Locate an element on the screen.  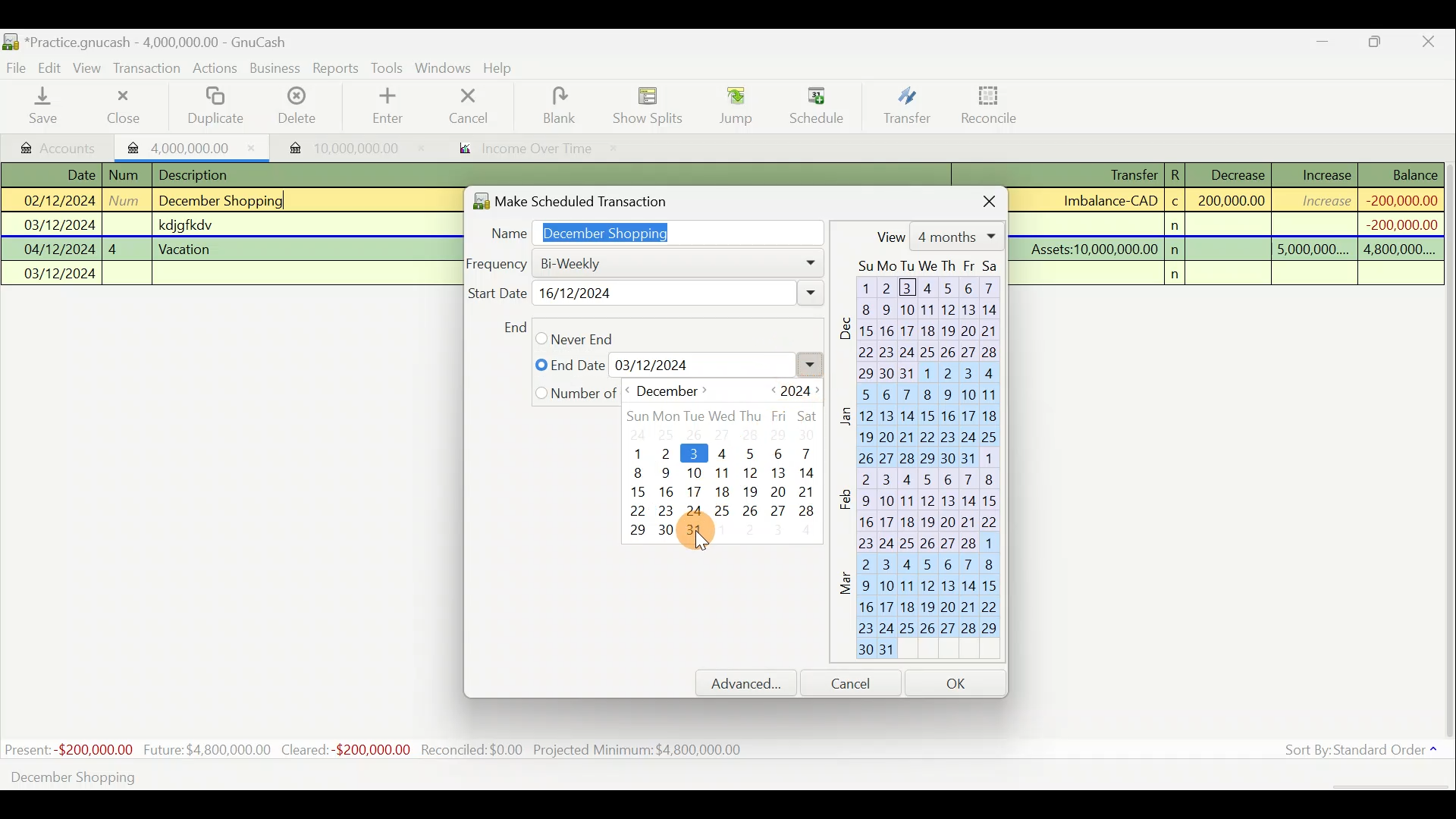
Save is located at coordinates (46, 105).